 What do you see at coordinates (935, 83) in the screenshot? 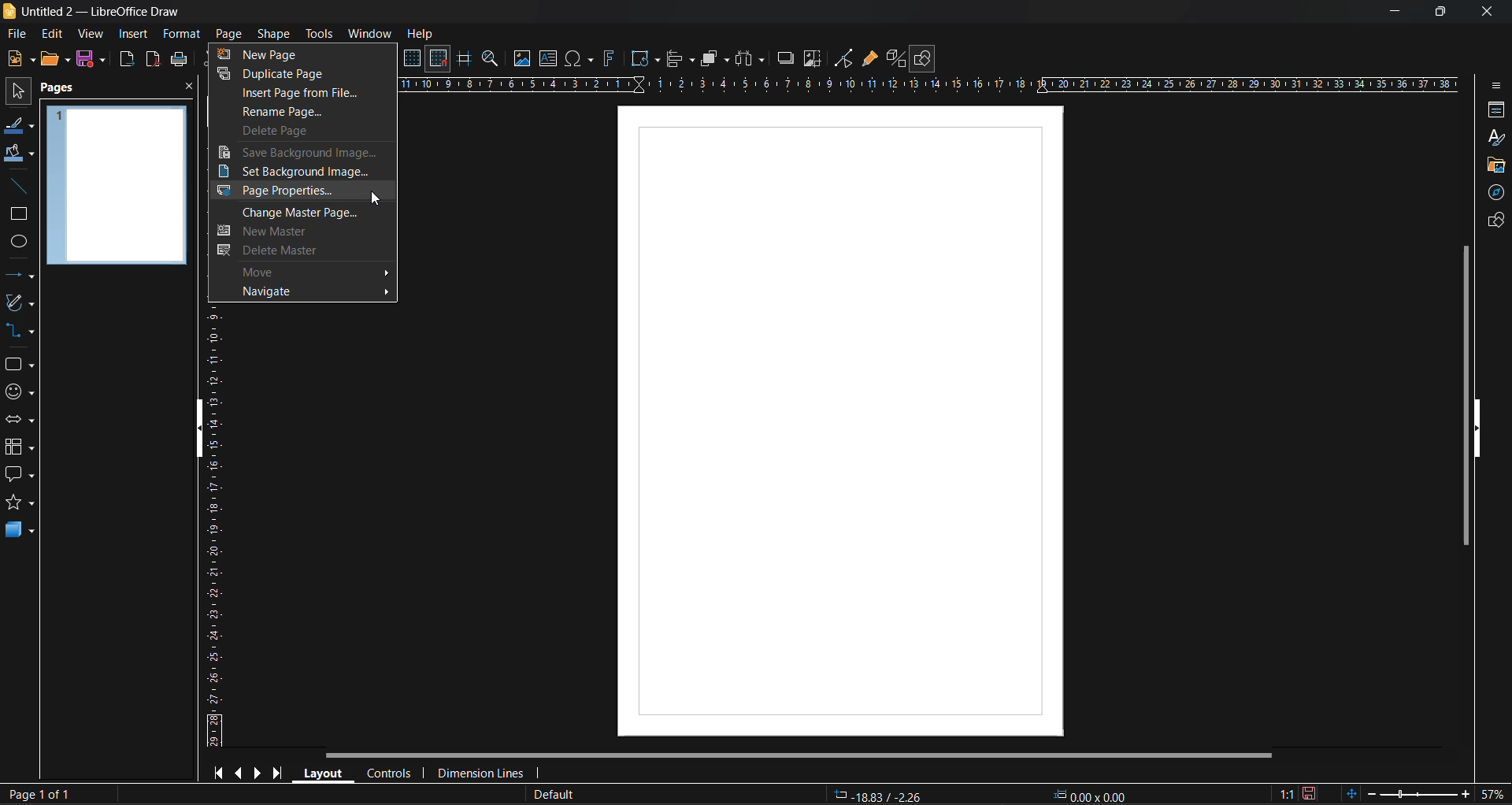
I see `horizontal ruler` at bounding box center [935, 83].